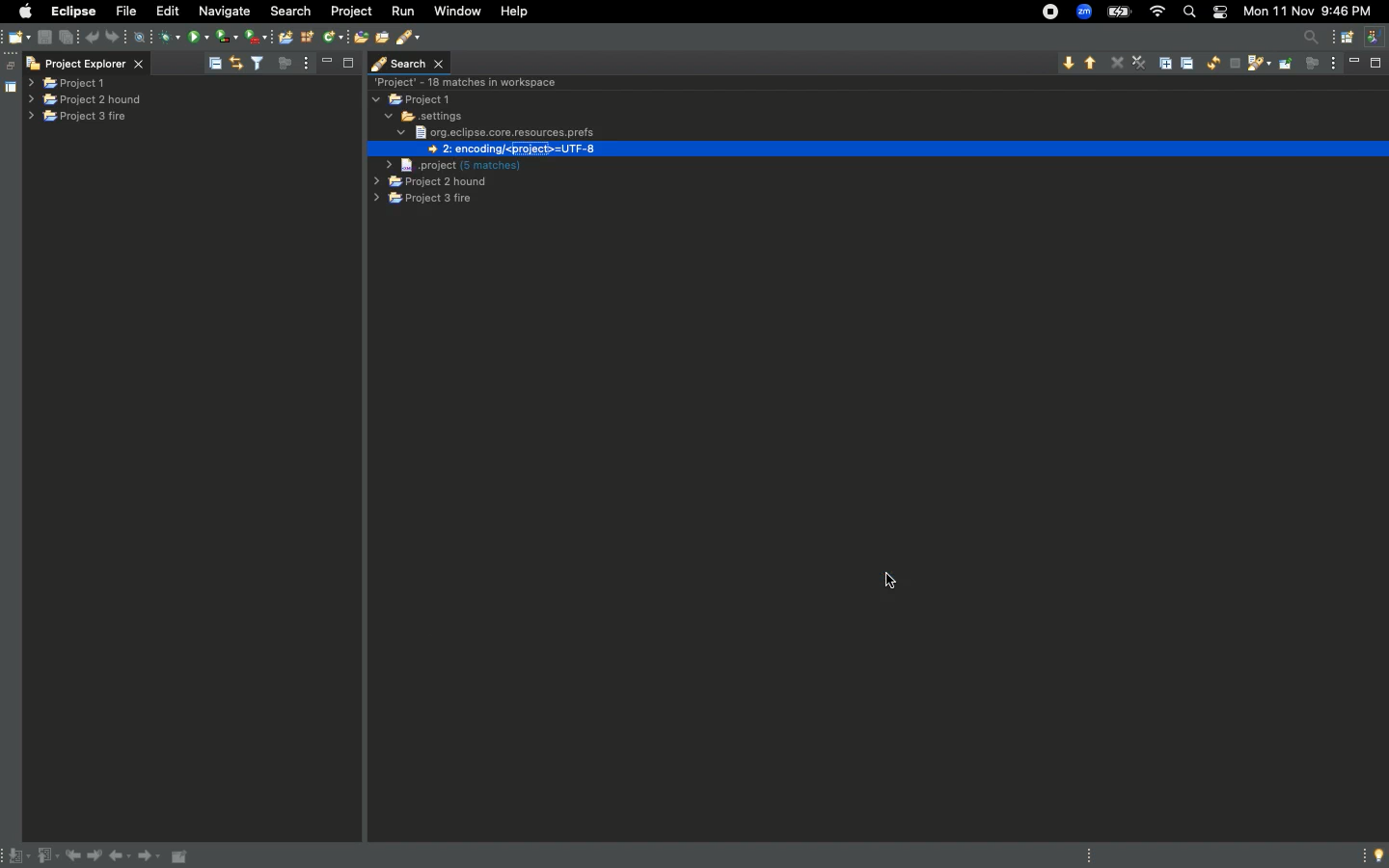 This screenshot has width=1389, height=868. What do you see at coordinates (122, 858) in the screenshot?
I see `Back` at bounding box center [122, 858].